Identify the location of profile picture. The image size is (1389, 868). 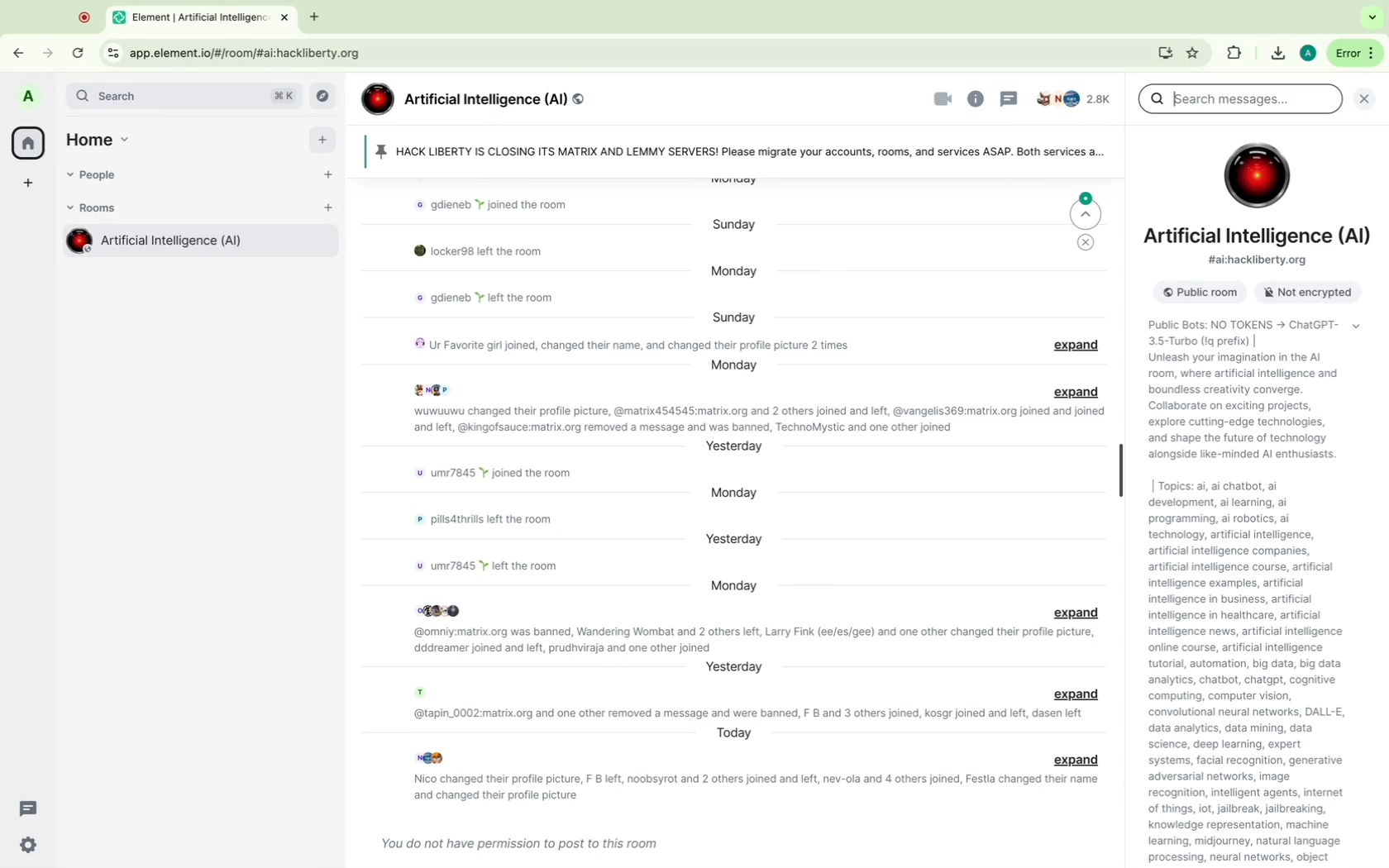
(31, 98).